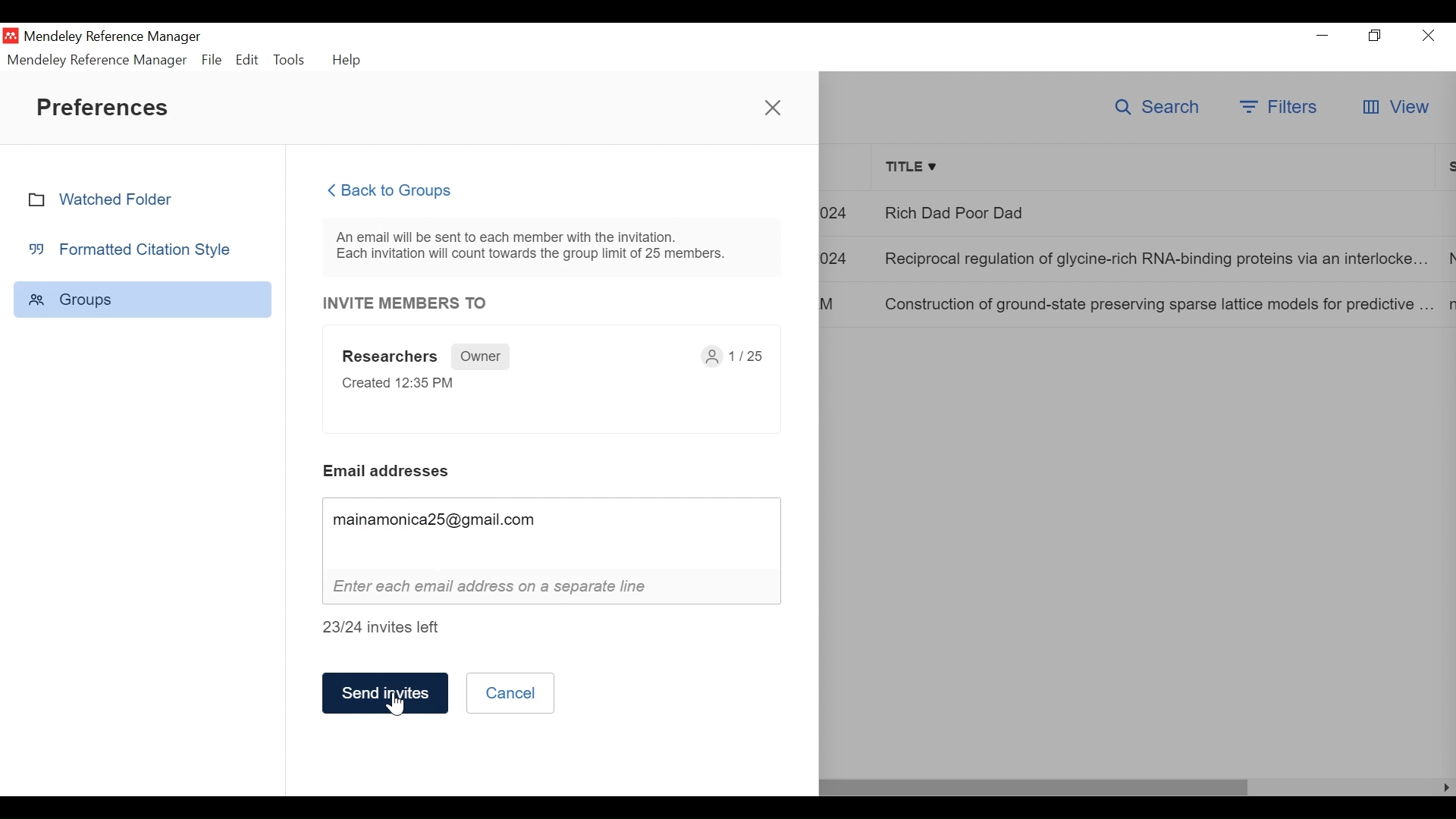 This screenshot has width=1456, height=819. What do you see at coordinates (212, 60) in the screenshot?
I see `File` at bounding box center [212, 60].